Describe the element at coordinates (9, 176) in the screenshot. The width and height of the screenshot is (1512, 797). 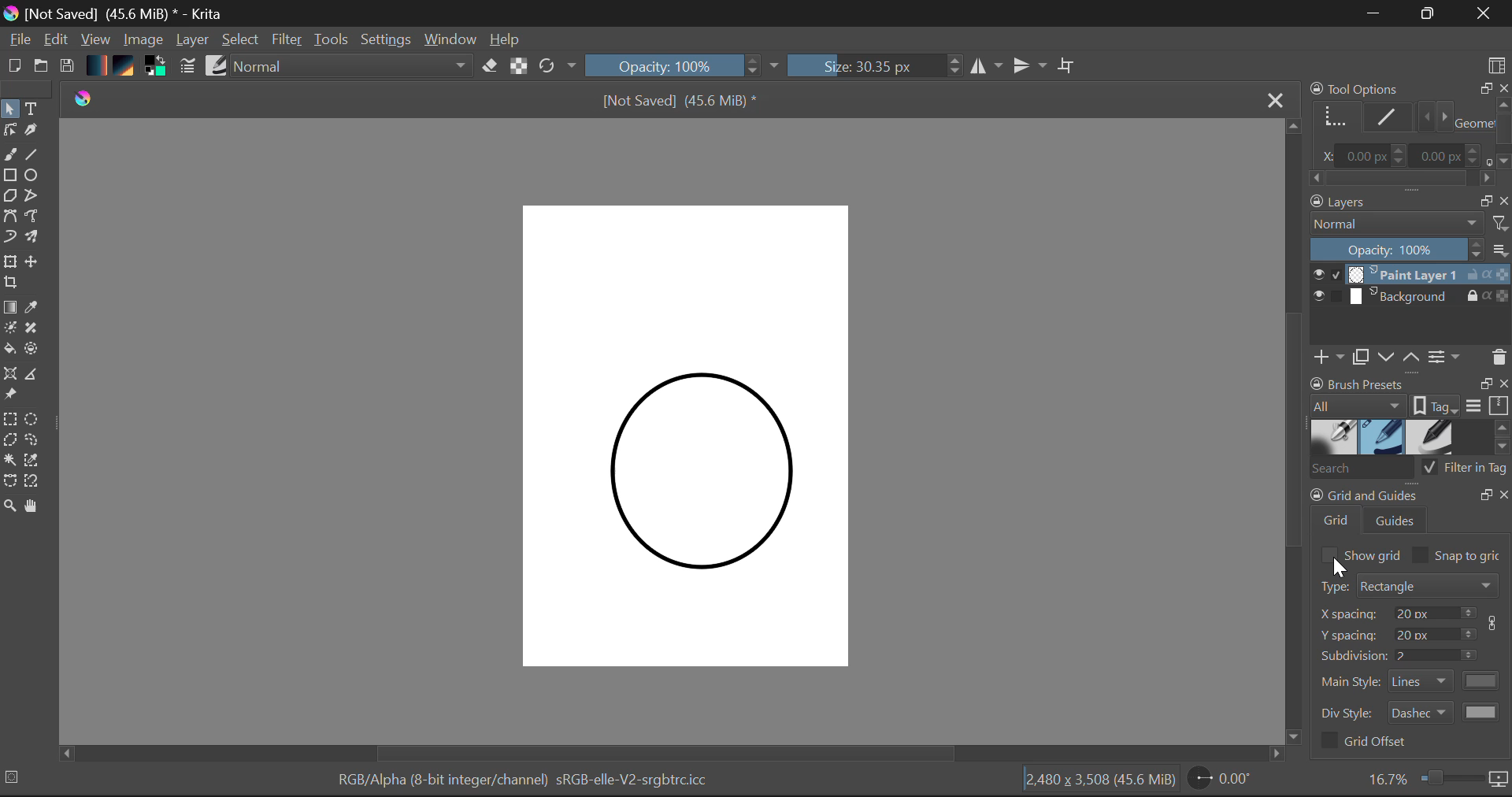
I see `Rectangle` at that location.